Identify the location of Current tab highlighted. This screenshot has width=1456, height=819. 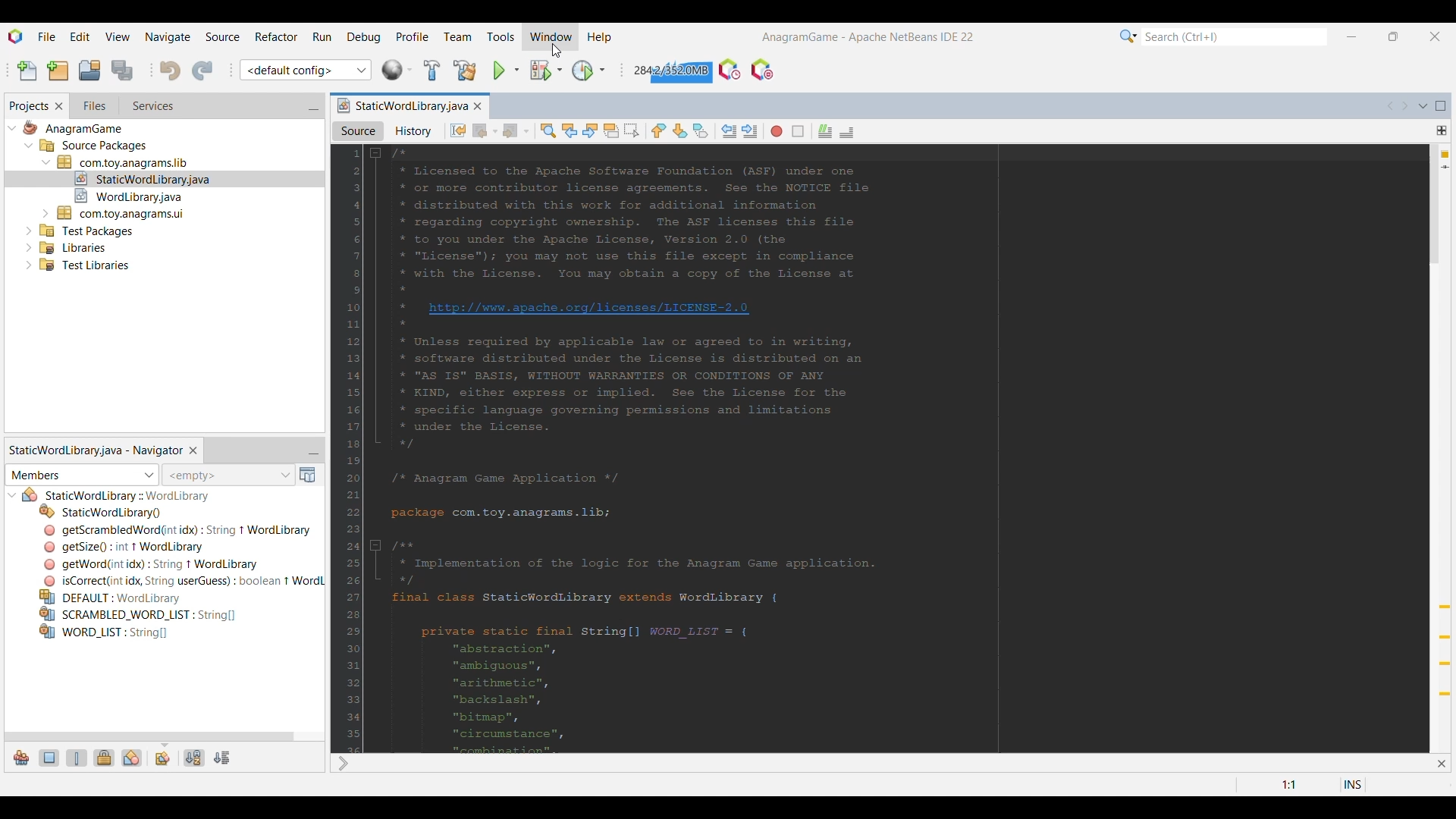
(400, 105).